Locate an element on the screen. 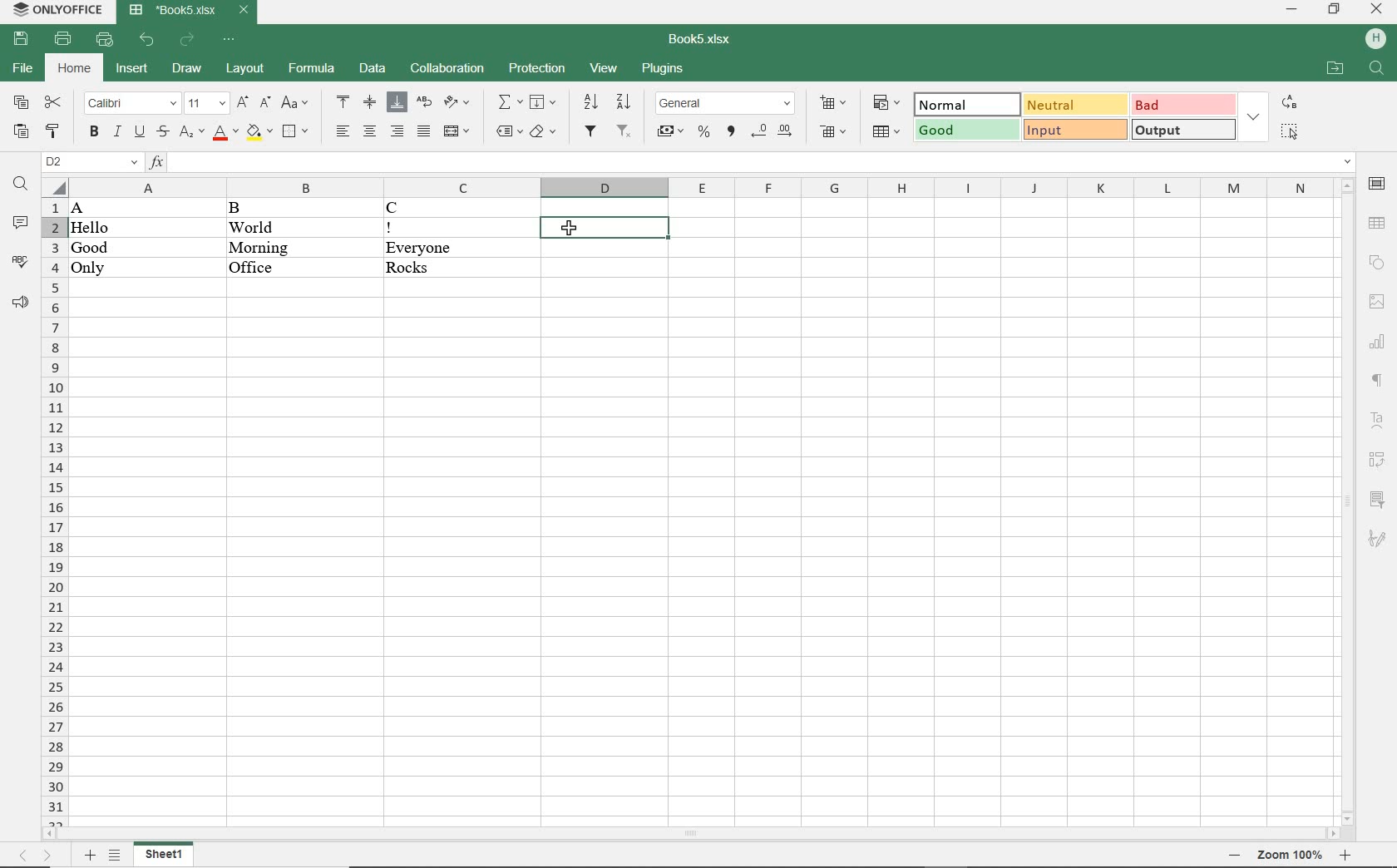  PERCENT STYLE is located at coordinates (705, 133).